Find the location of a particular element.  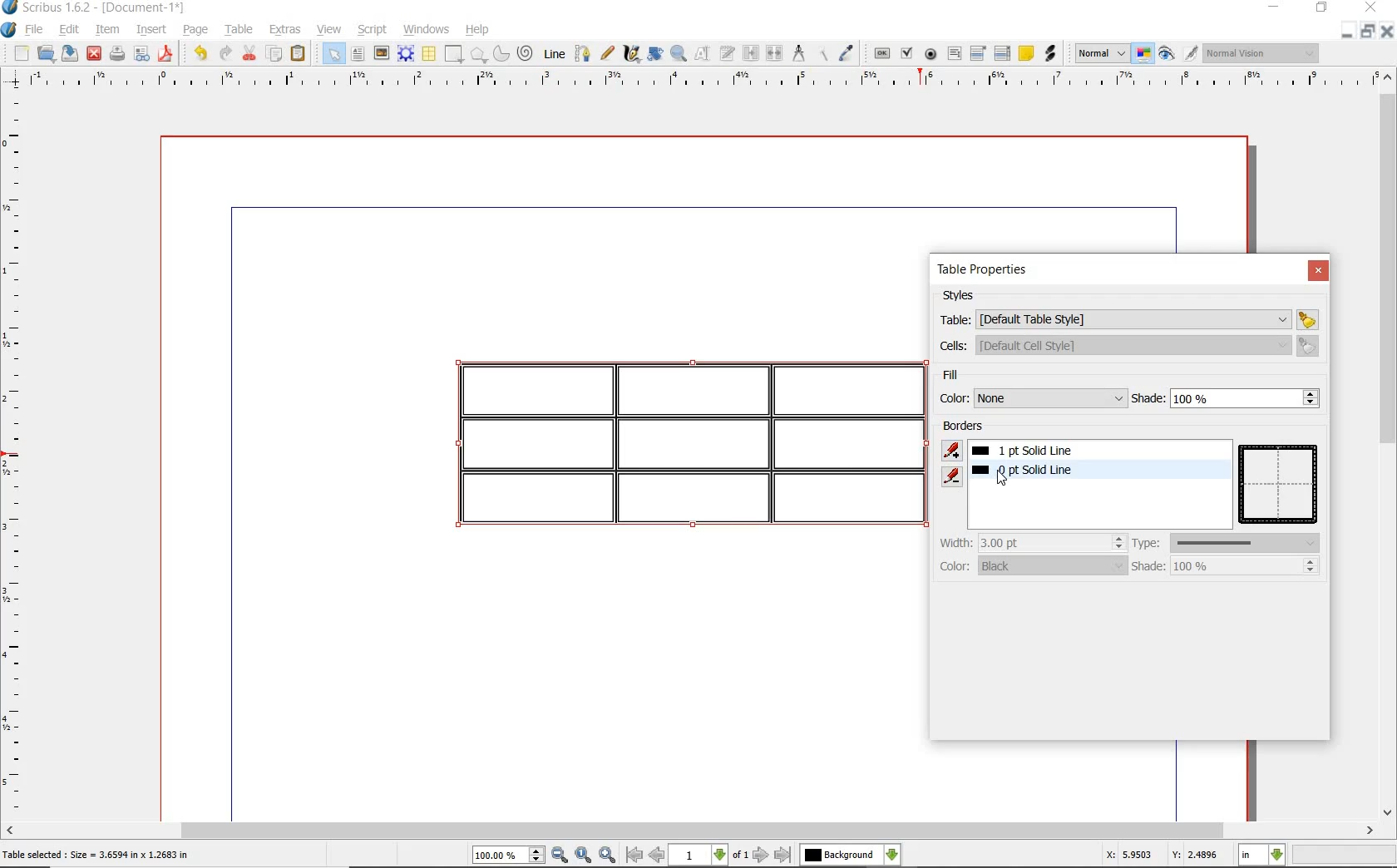

view is located at coordinates (329, 29).